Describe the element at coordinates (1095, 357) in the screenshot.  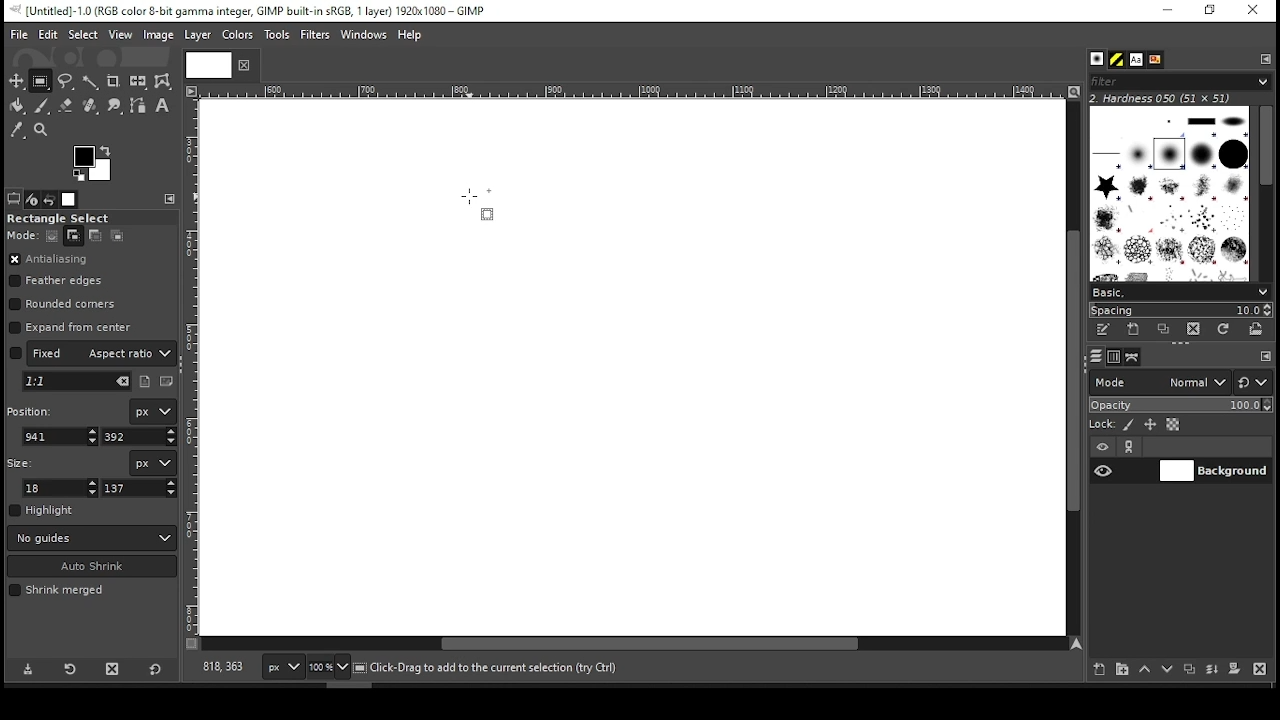
I see `layers` at that location.